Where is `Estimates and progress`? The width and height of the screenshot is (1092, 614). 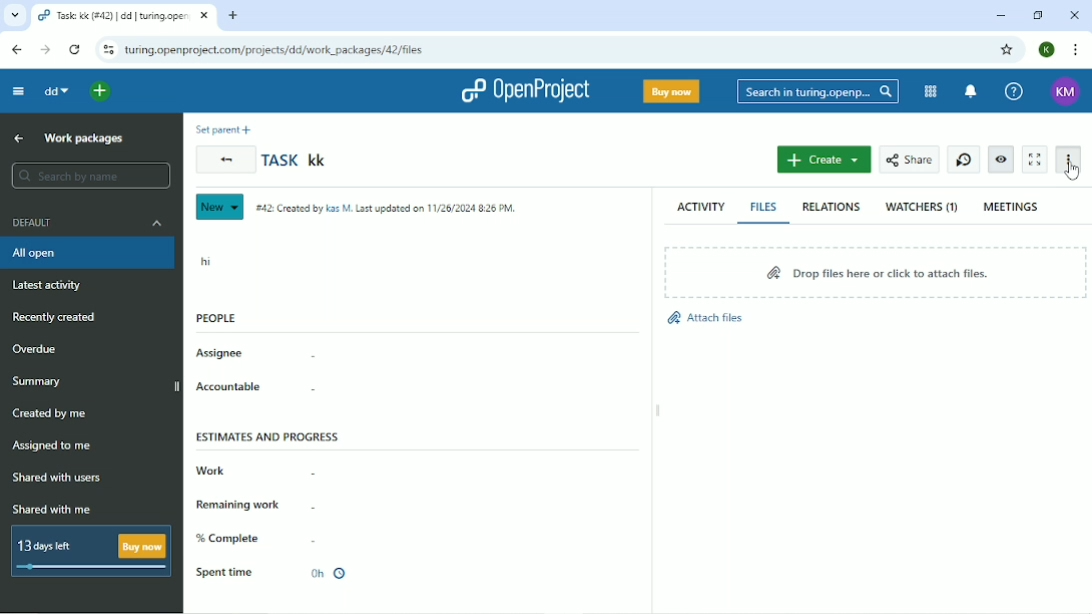
Estimates and progress is located at coordinates (268, 435).